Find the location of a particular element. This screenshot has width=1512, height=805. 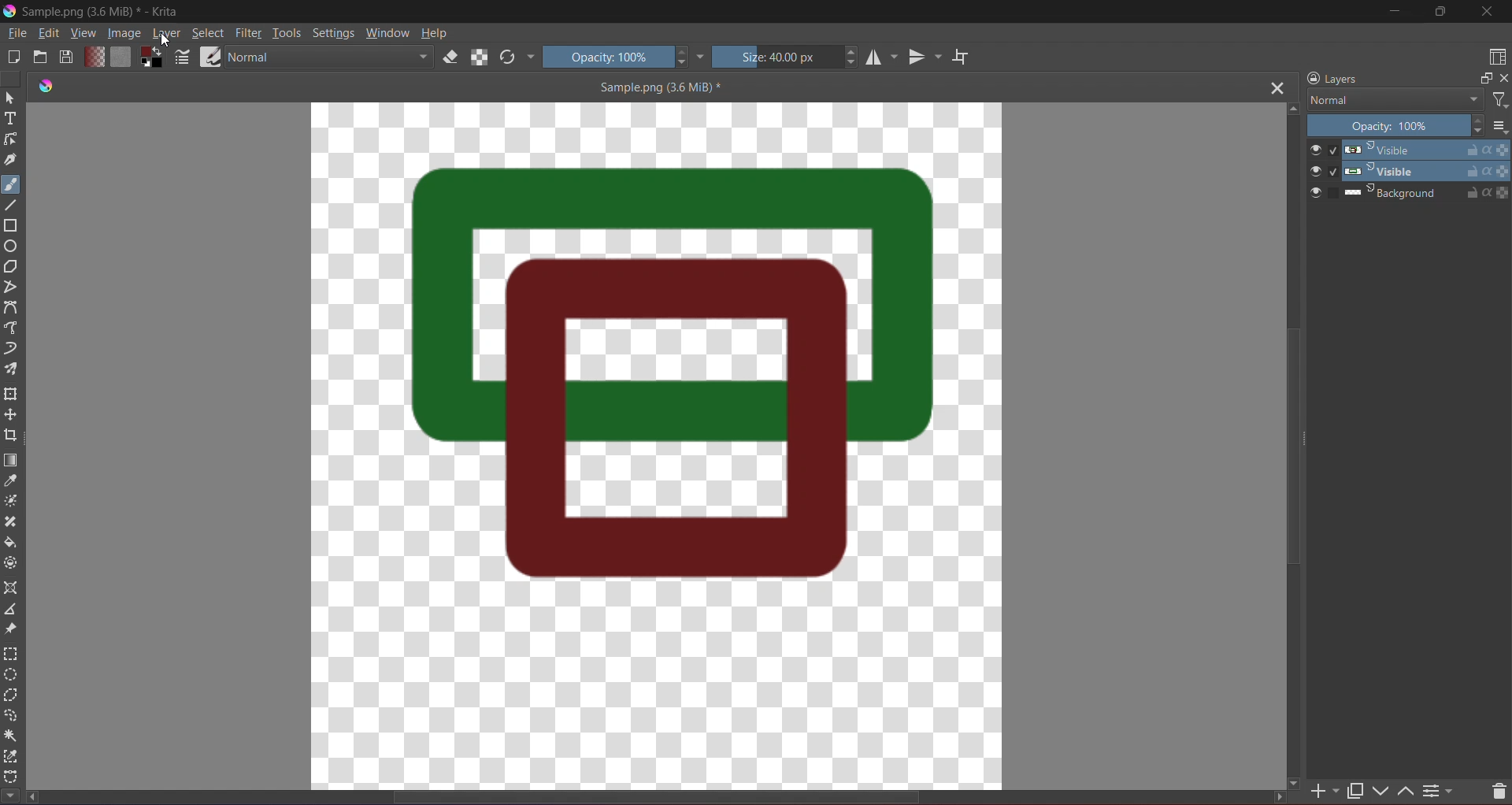

Window is located at coordinates (387, 32).